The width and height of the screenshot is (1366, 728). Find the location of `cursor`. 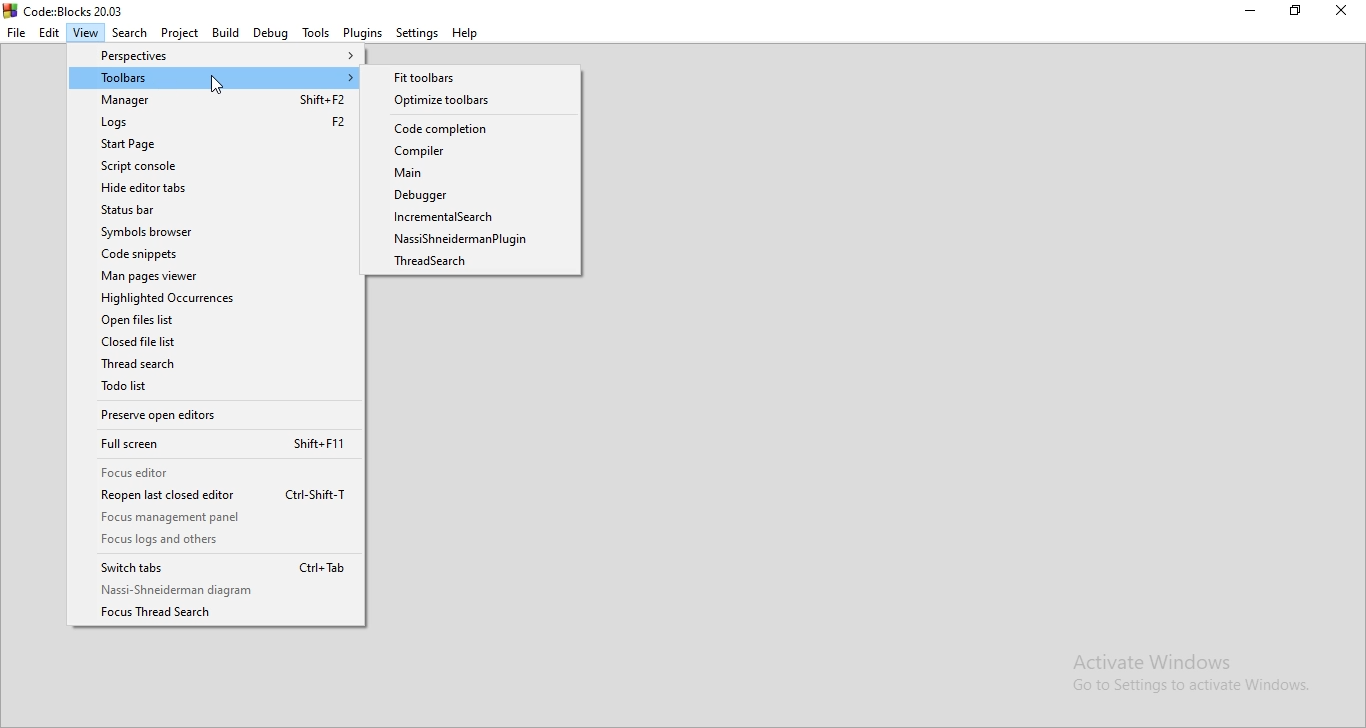

cursor is located at coordinates (217, 84).